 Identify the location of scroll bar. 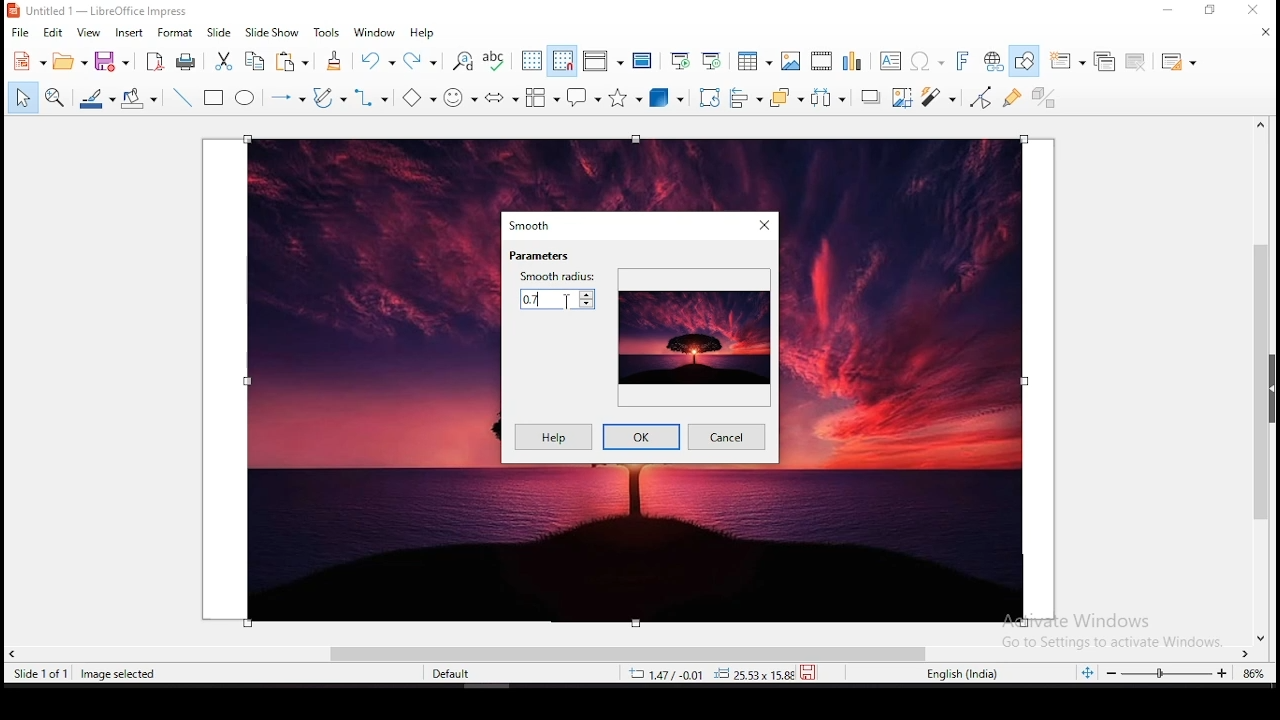
(1267, 380).